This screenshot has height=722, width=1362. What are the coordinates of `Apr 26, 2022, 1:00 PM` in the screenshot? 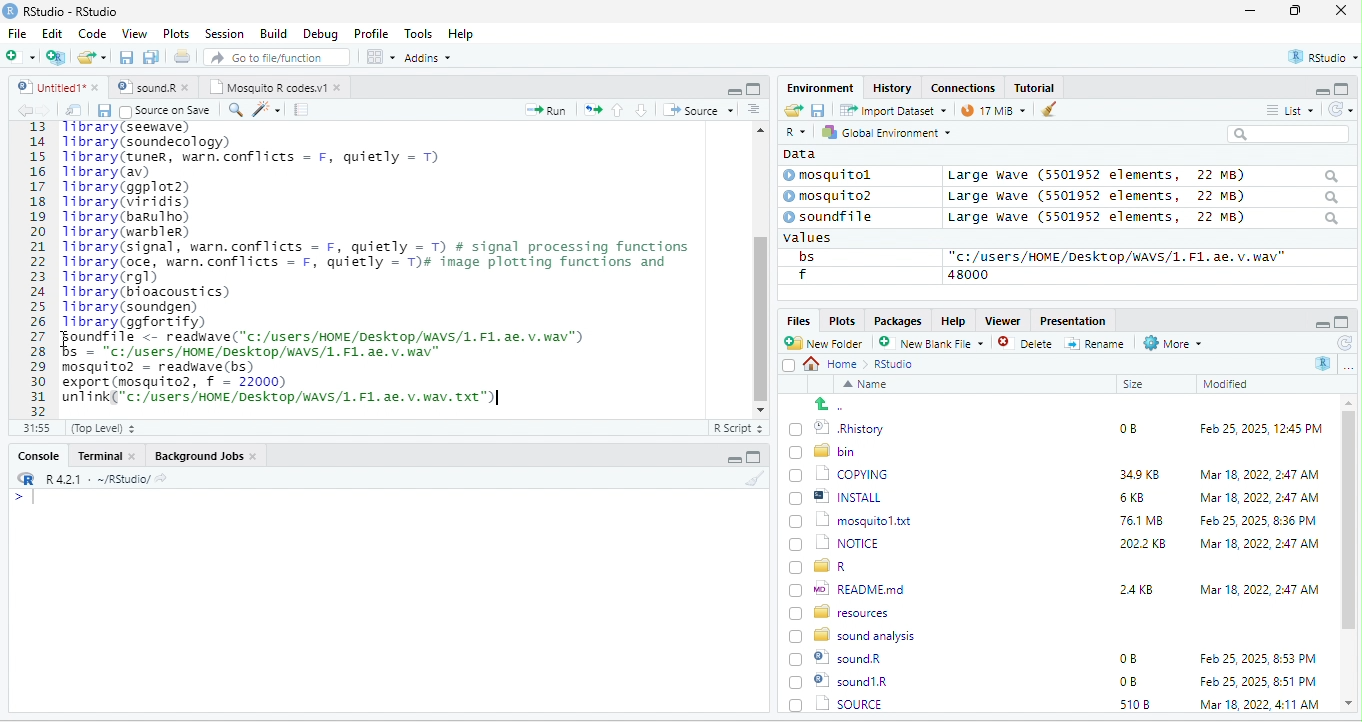 It's located at (1260, 706).